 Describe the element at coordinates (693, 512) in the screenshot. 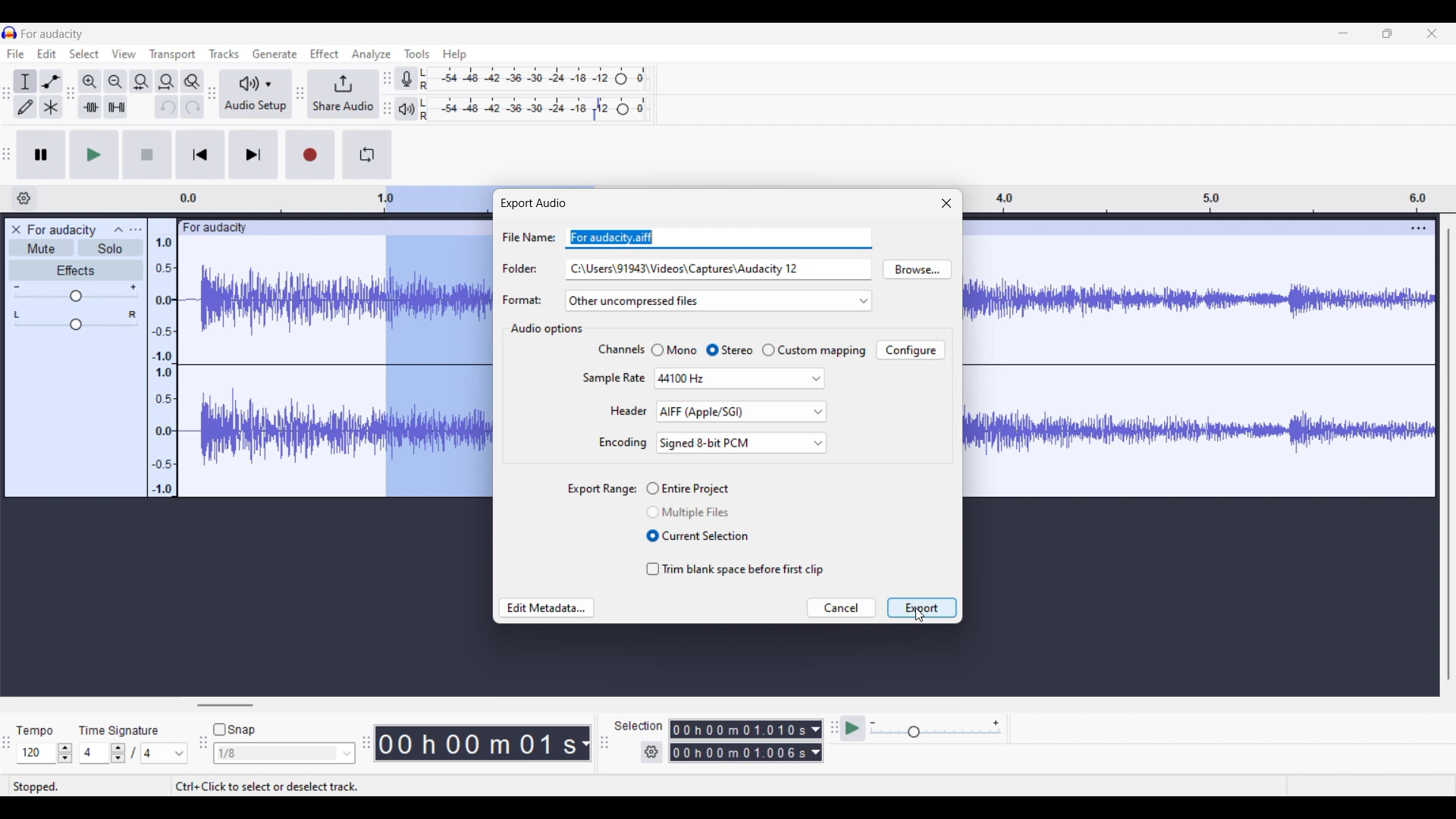

I see `Multiple Files` at that location.